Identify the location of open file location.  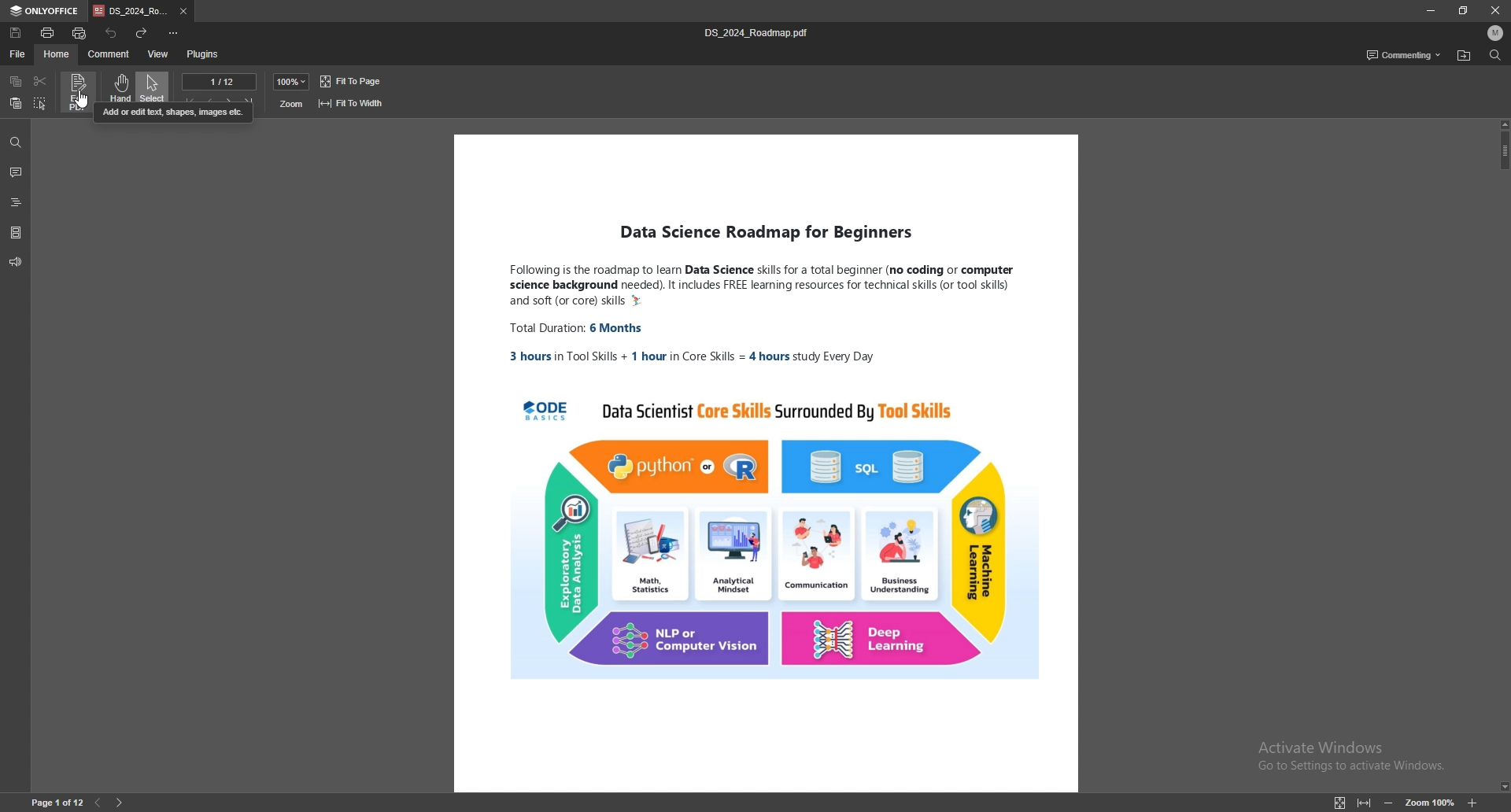
(1463, 56).